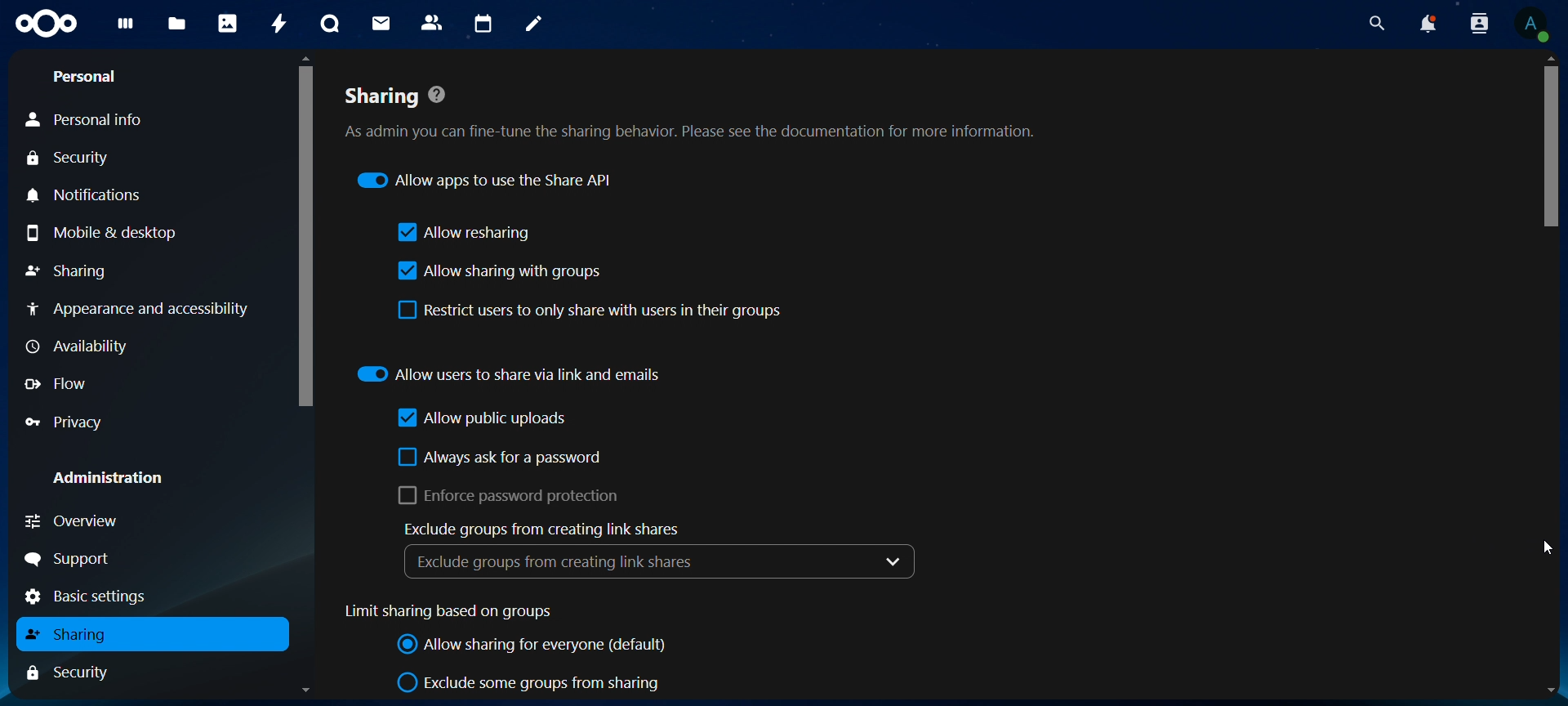 The image size is (1568, 706). I want to click on notifications, so click(1427, 25).